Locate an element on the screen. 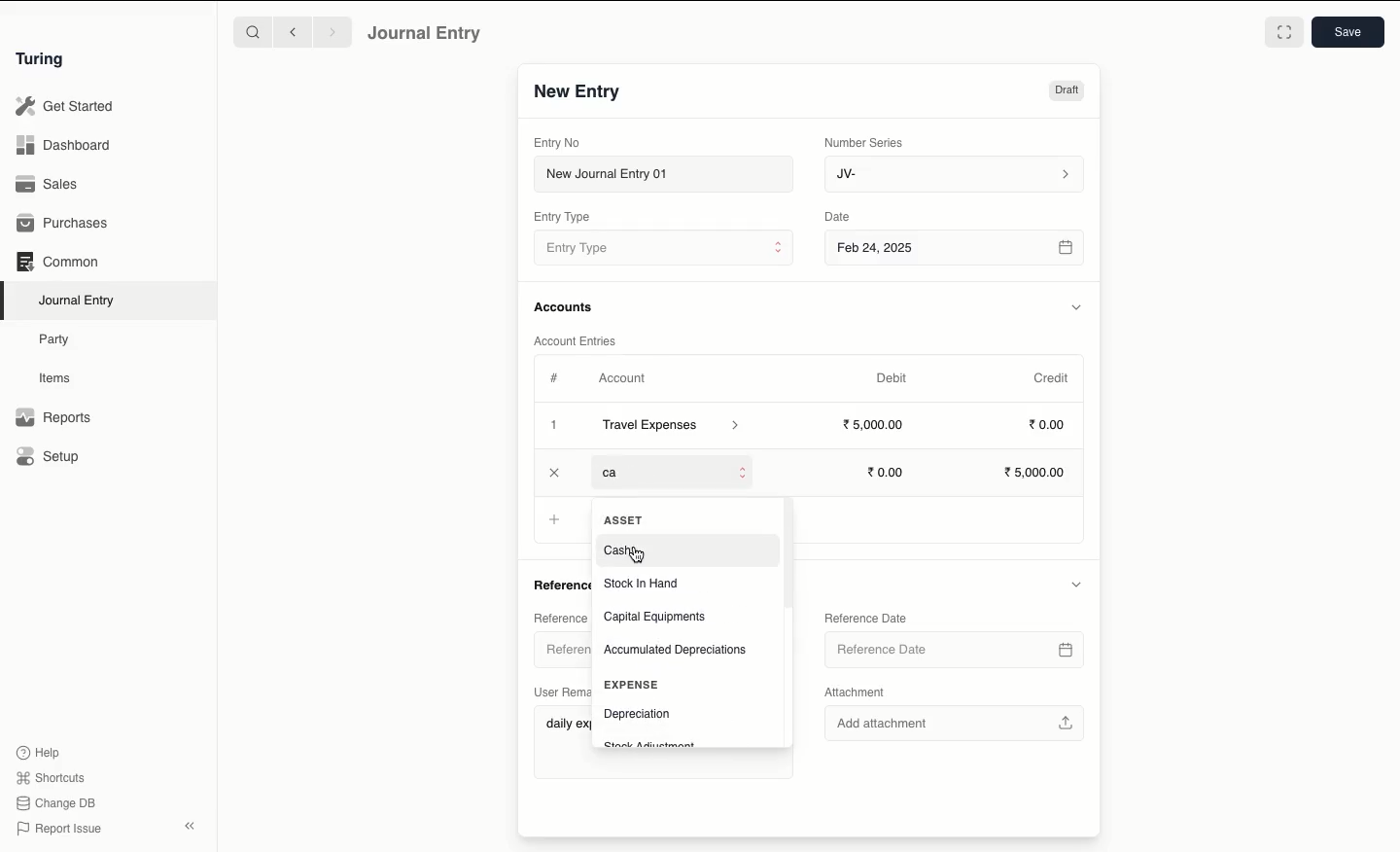 Image resolution: width=1400 pixels, height=852 pixels. Add is located at coordinates (557, 521).